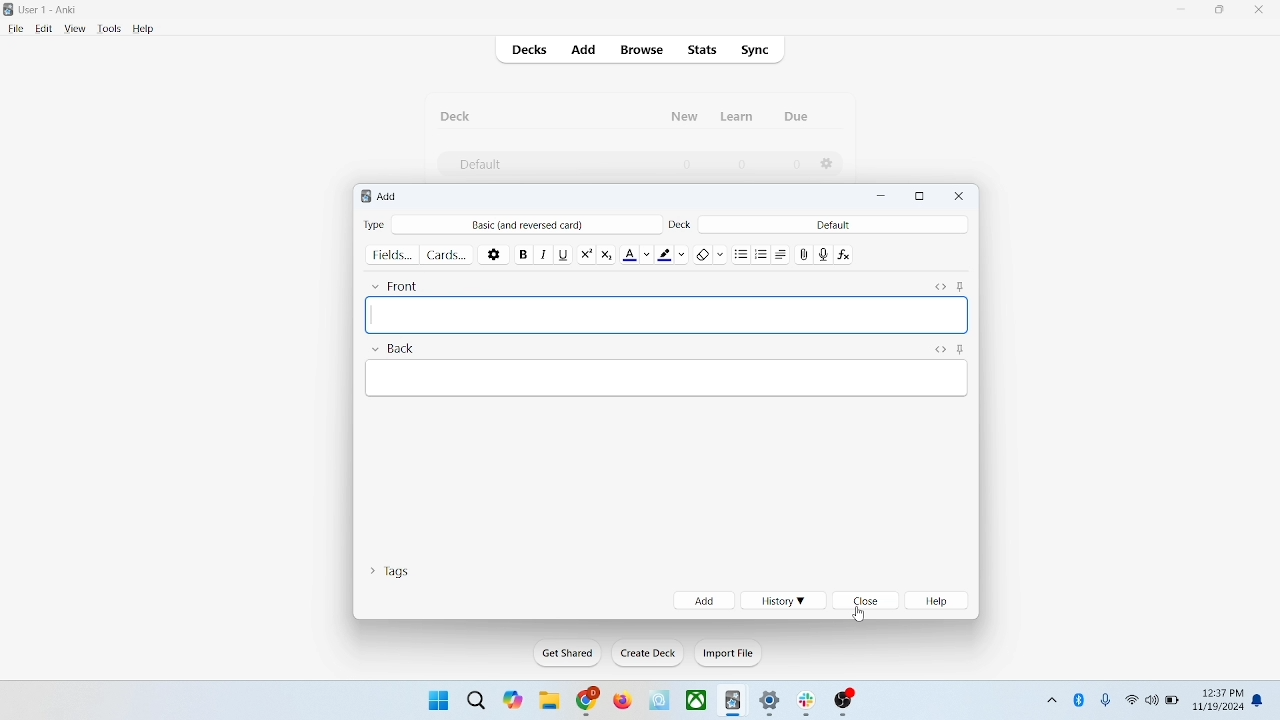 The height and width of the screenshot is (720, 1280). Describe the element at coordinates (734, 702) in the screenshot. I see `icon` at that location.